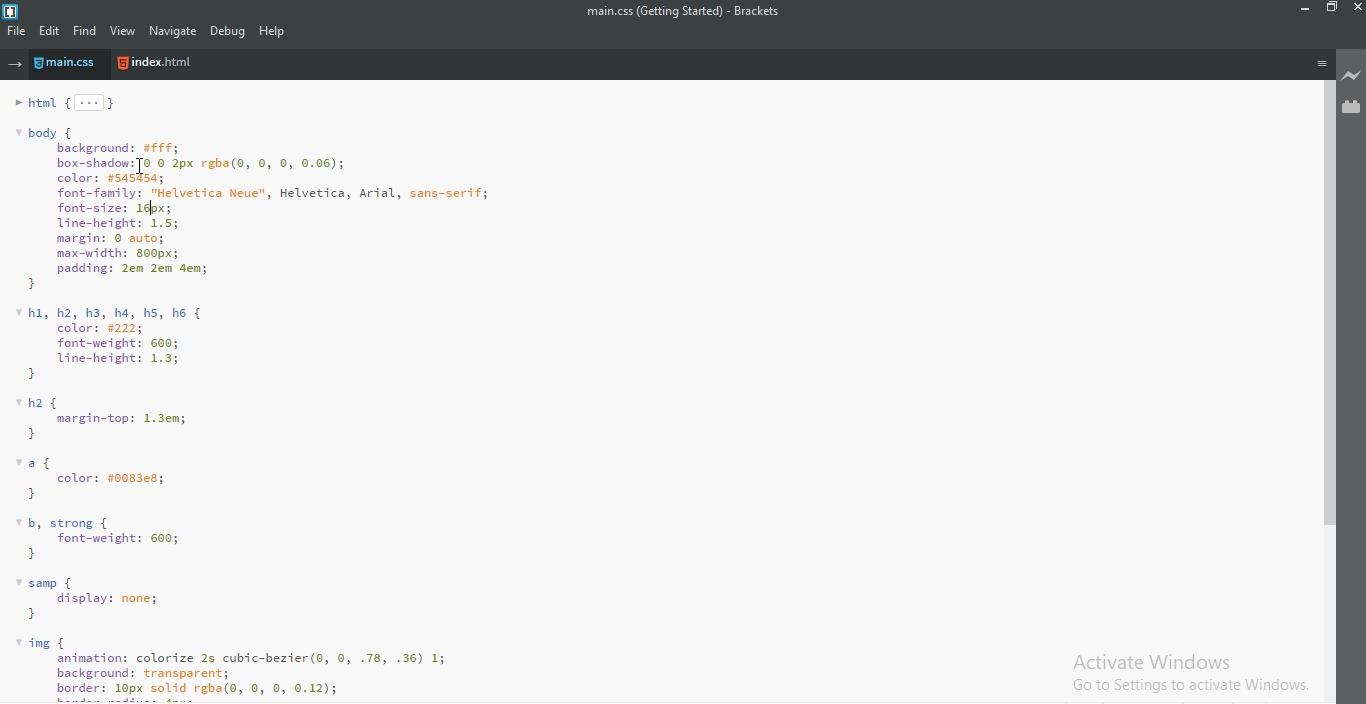 Image resolution: width=1366 pixels, height=704 pixels. I want to click on debug, so click(228, 31).